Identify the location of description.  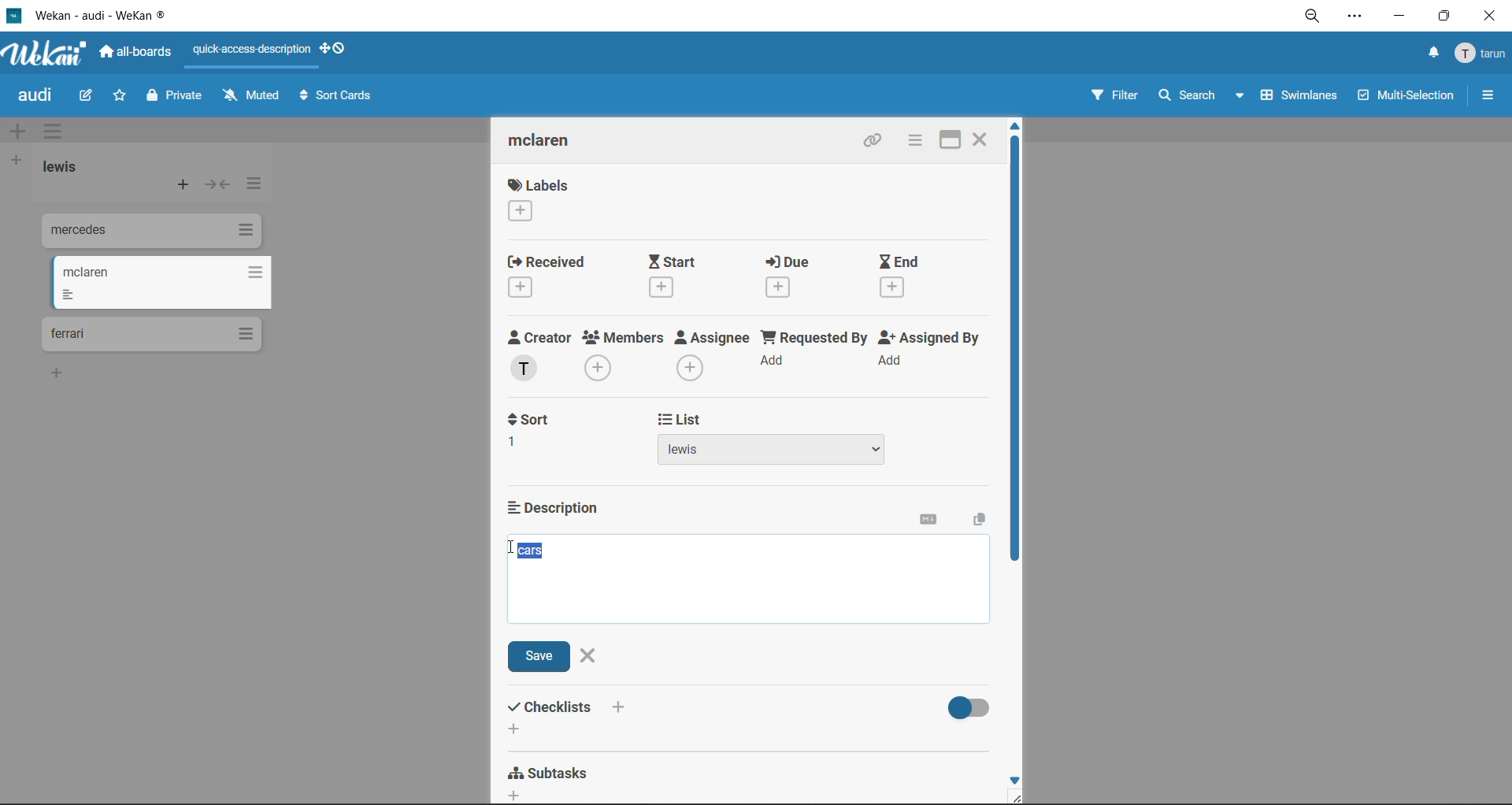
(561, 507).